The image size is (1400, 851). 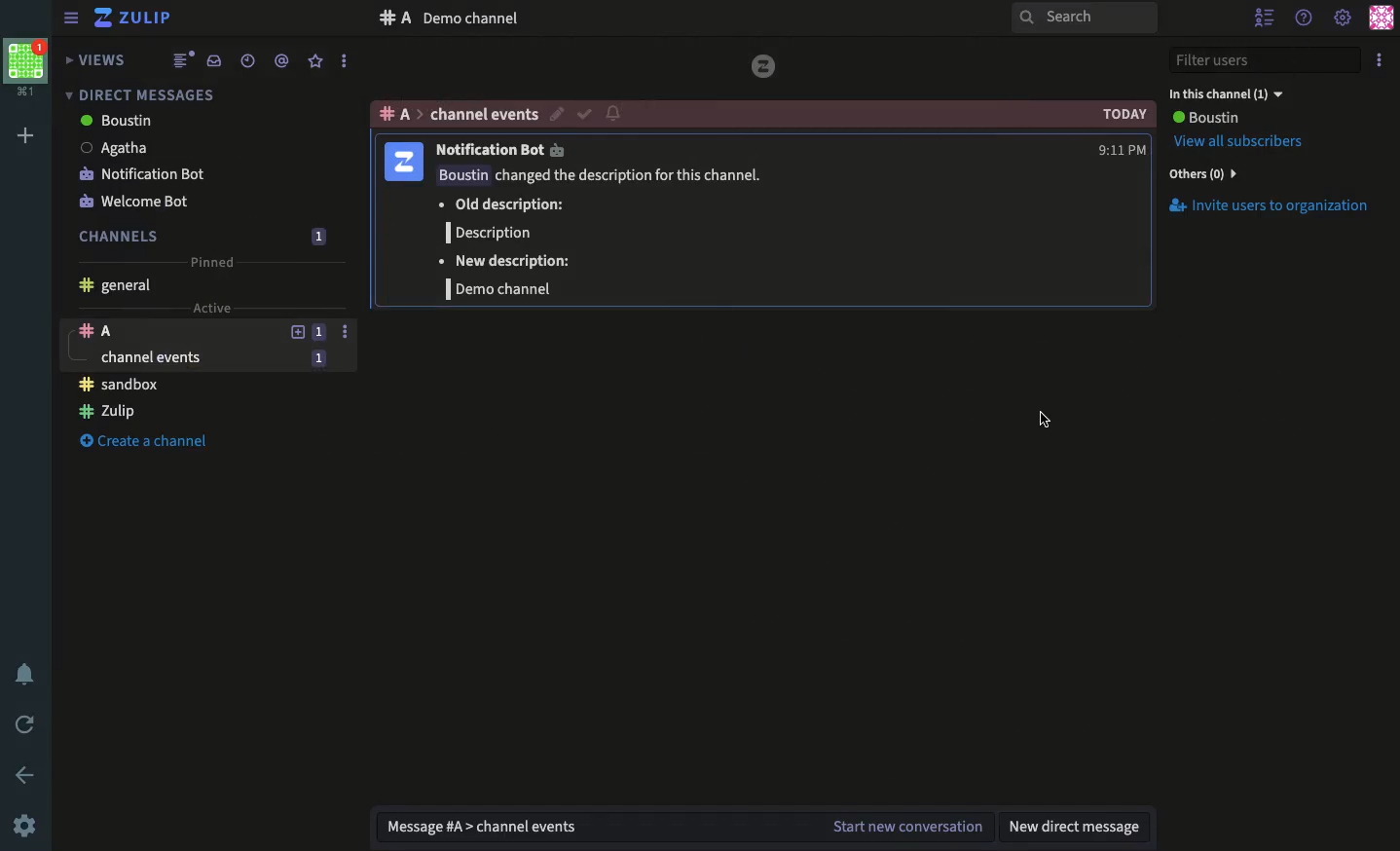 I want to click on notification bot, so click(x=503, y=150).